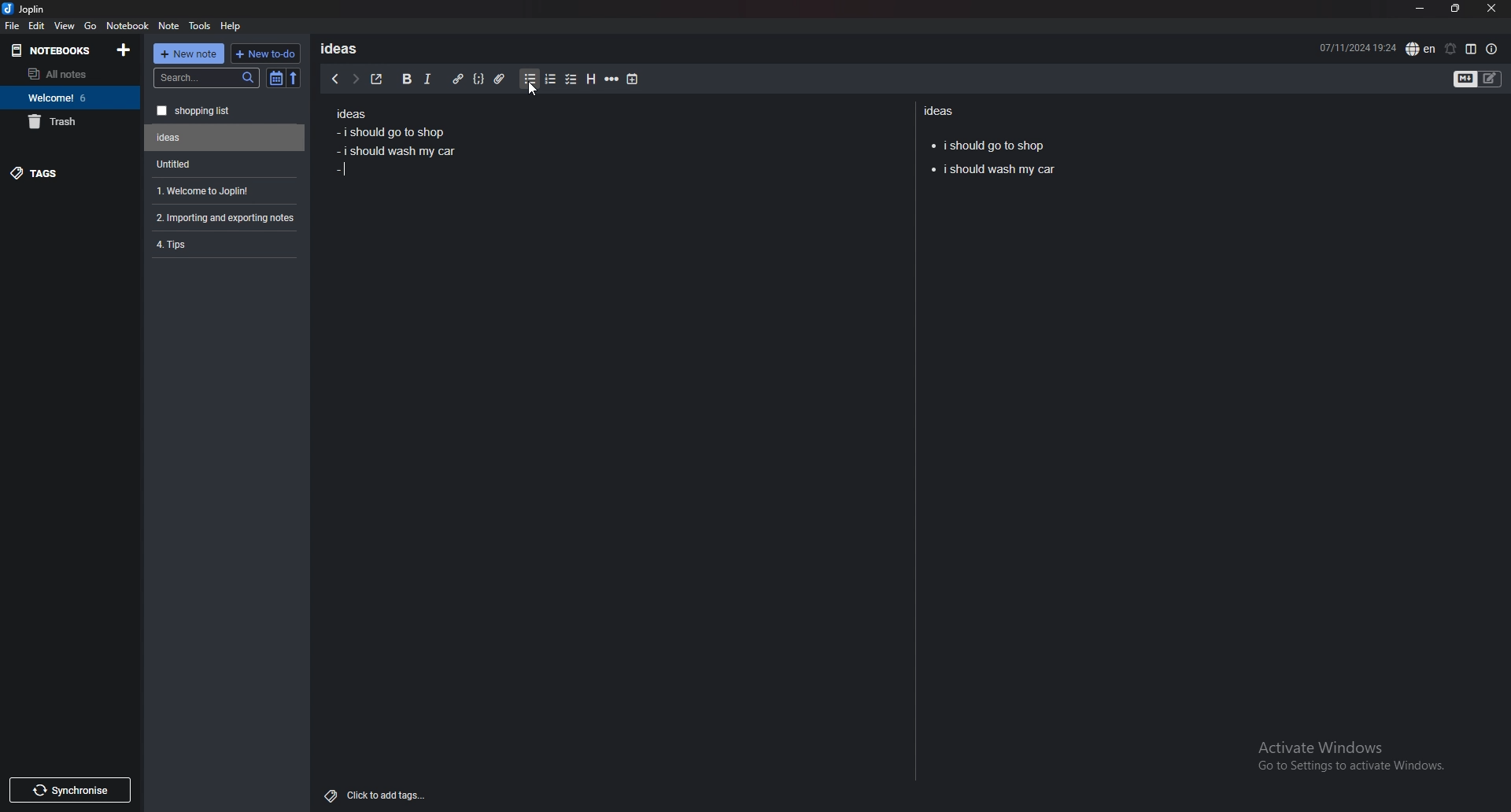 The width and height of the screenshot is (1511, 812). What do you see at coordinates (611, 79) in the screenshot?
I see `horizontal rule` at bounding box center [611, 79].